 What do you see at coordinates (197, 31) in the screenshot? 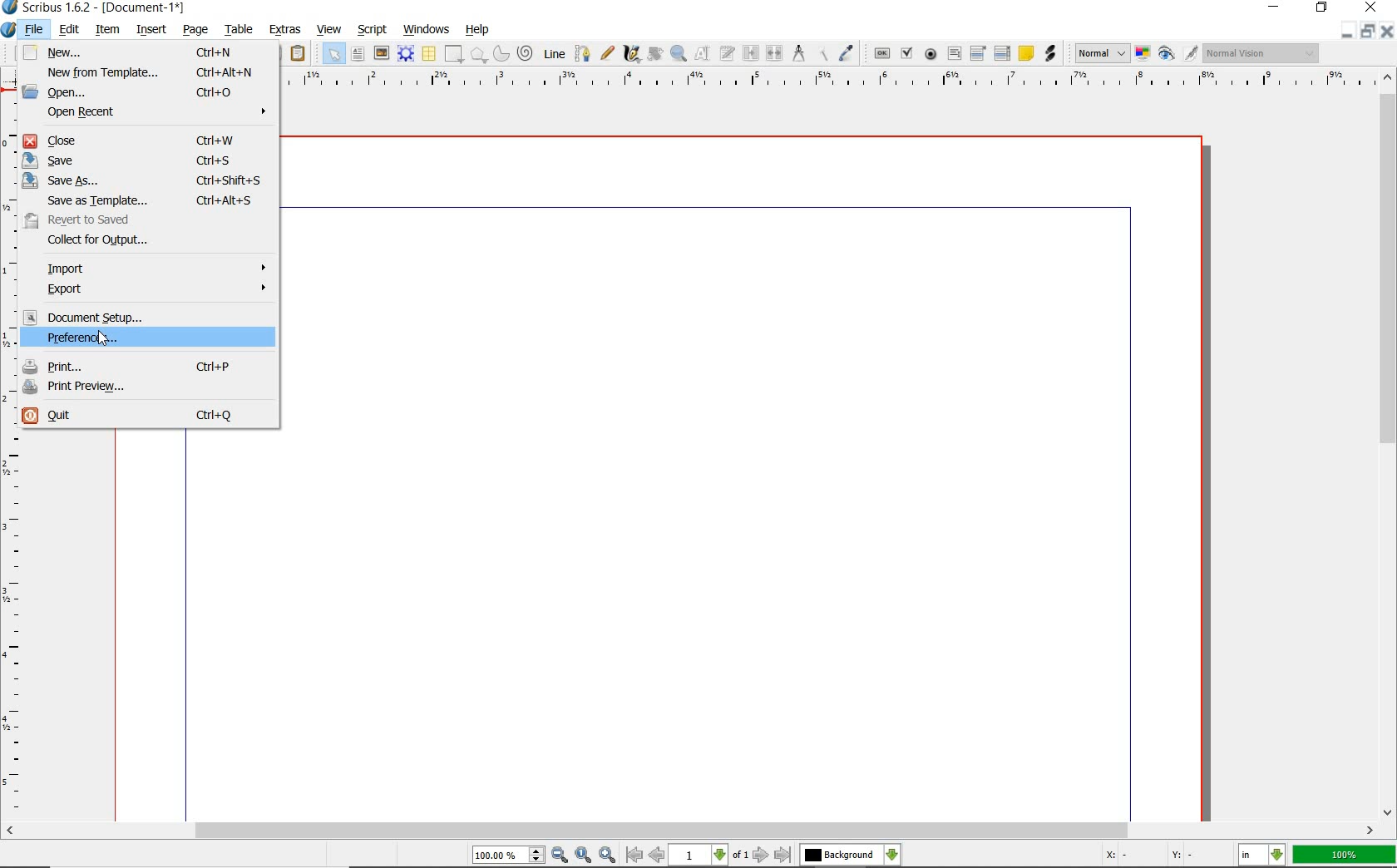
I see `page` at bounding box center [197, 31].